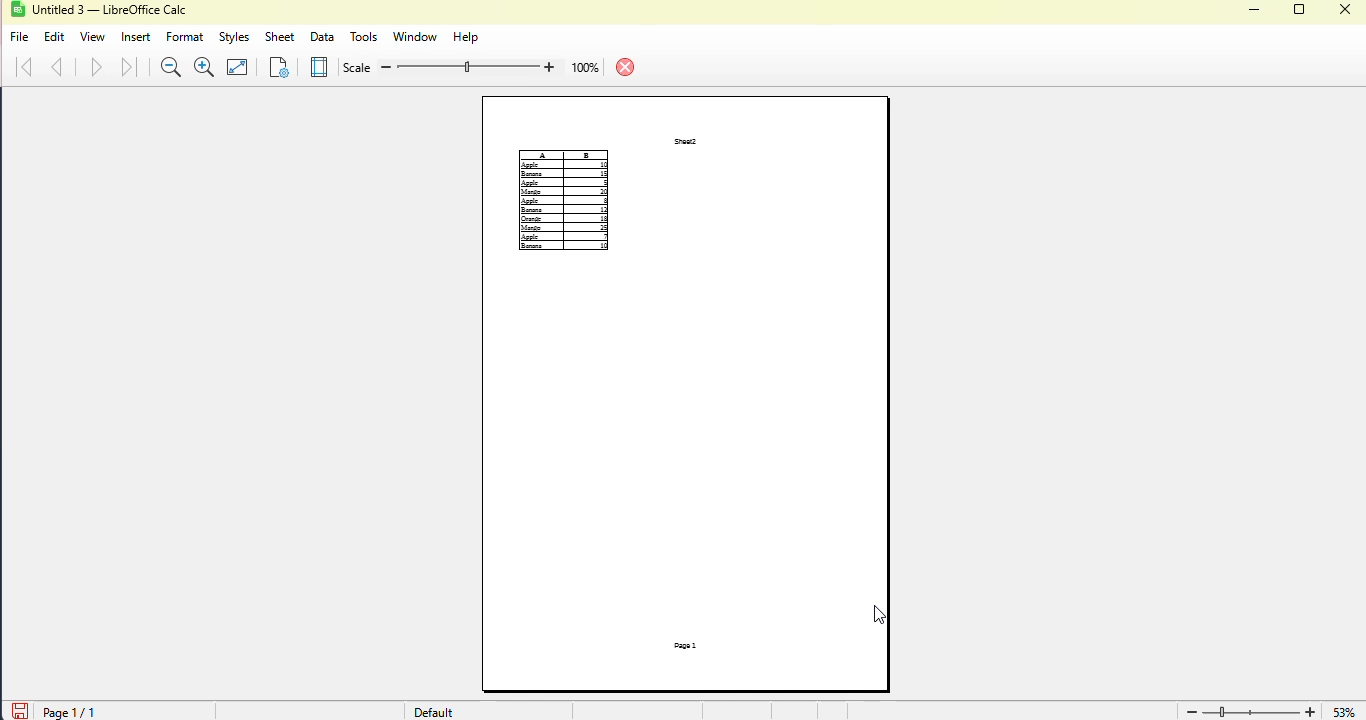  Describe the element at coordinates (322, 38) in the screenshot. I see `data` at that location.